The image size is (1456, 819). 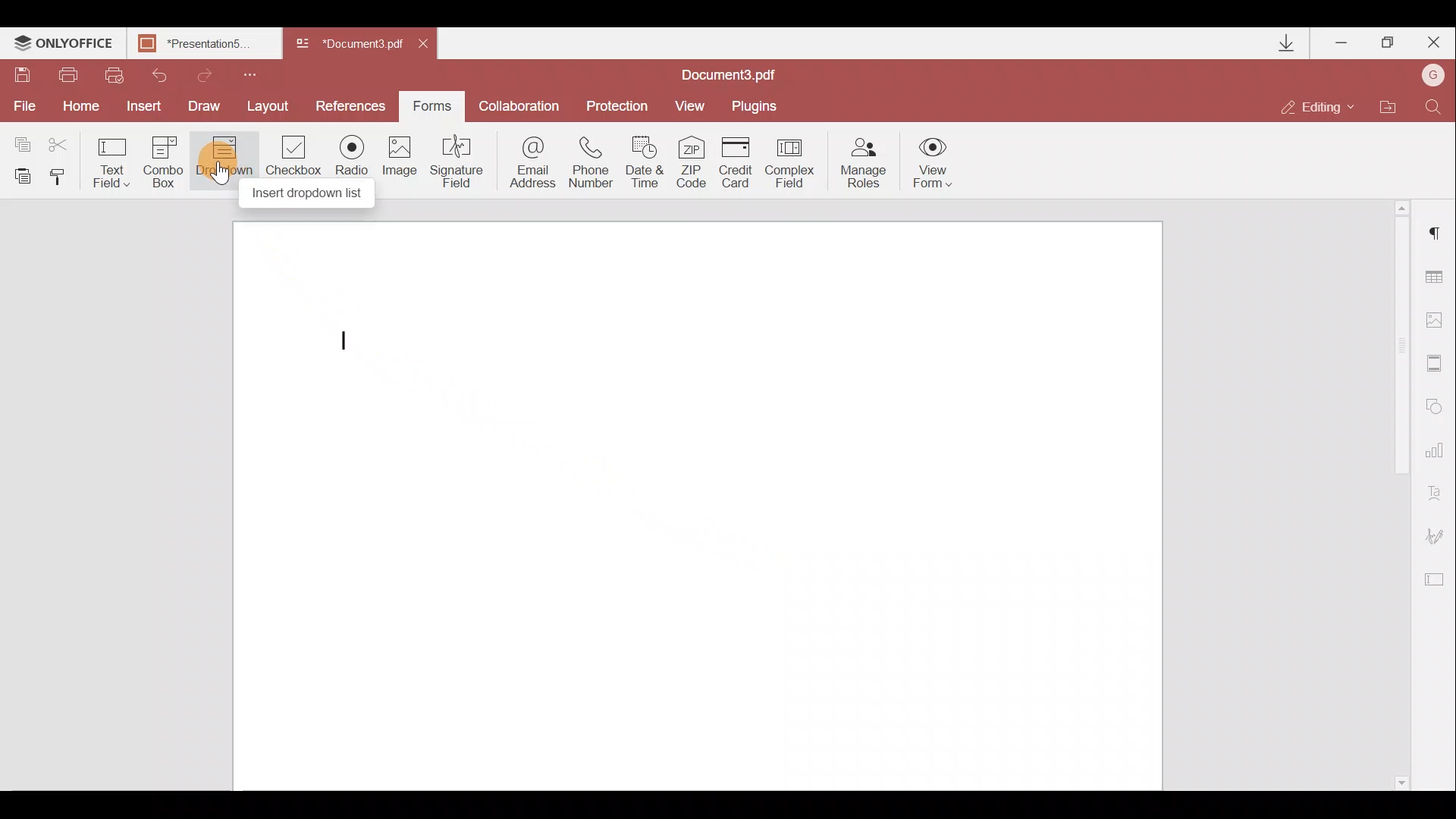 What do you see at coordinates (1339, 42) in the screenshot?
I see `Minimize` at bounding box center [1339, 42].